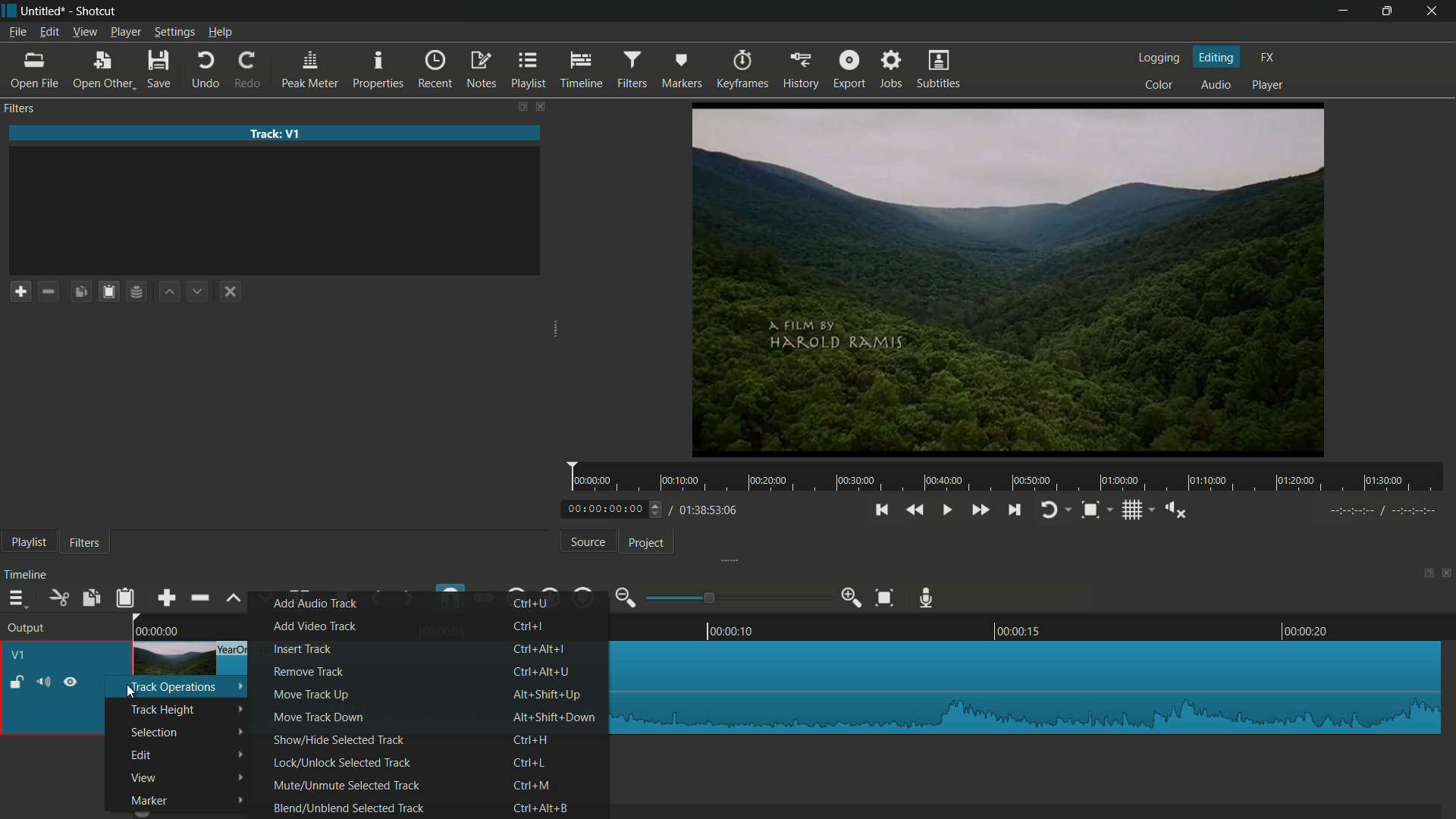  I want to click on player, so click(1268, 86).